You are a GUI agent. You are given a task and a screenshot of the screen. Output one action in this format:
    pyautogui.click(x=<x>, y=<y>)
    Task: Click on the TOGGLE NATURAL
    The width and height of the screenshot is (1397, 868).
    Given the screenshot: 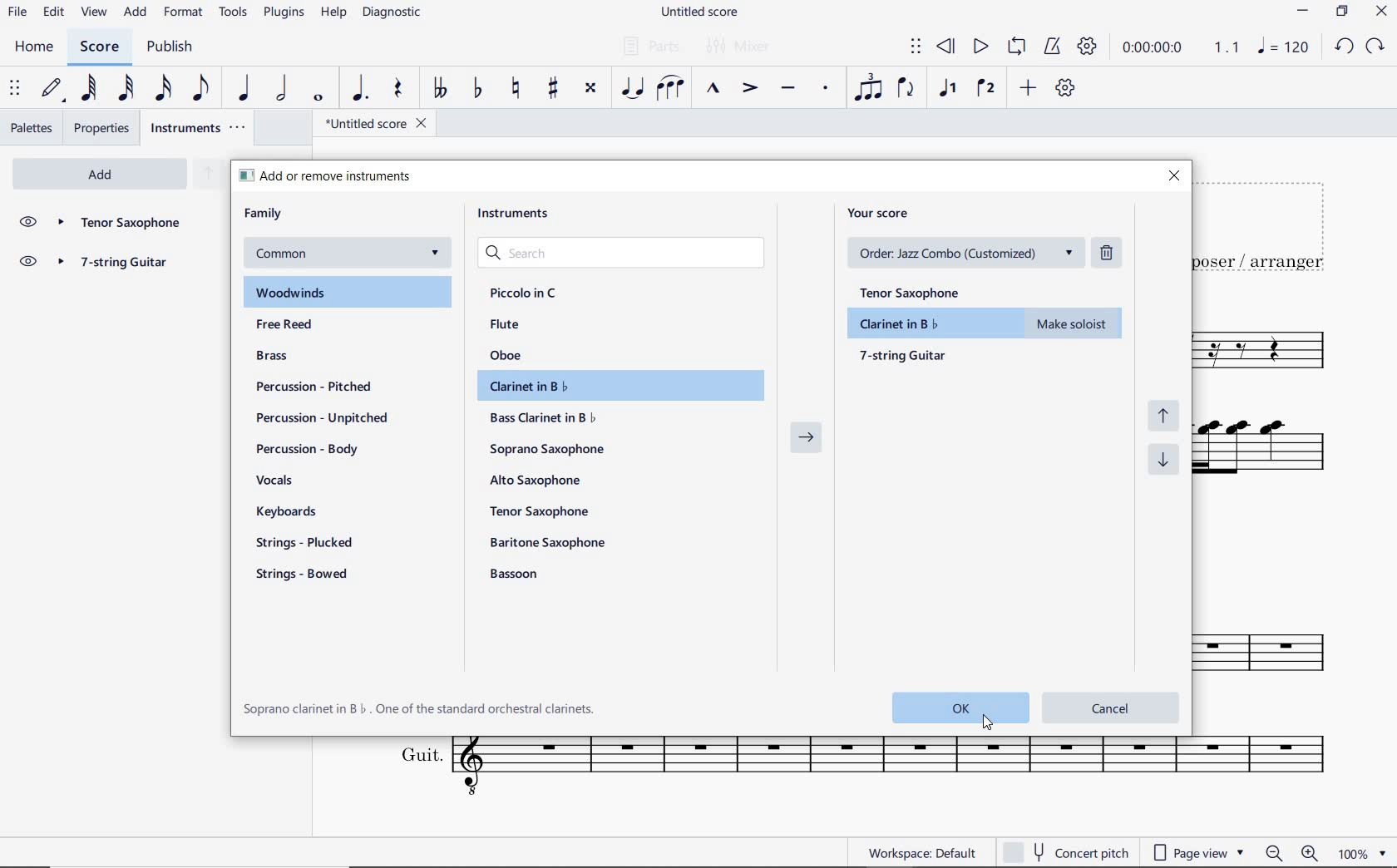 What is the action you would take?
    pyautogui.click(x=517, y=89)
    